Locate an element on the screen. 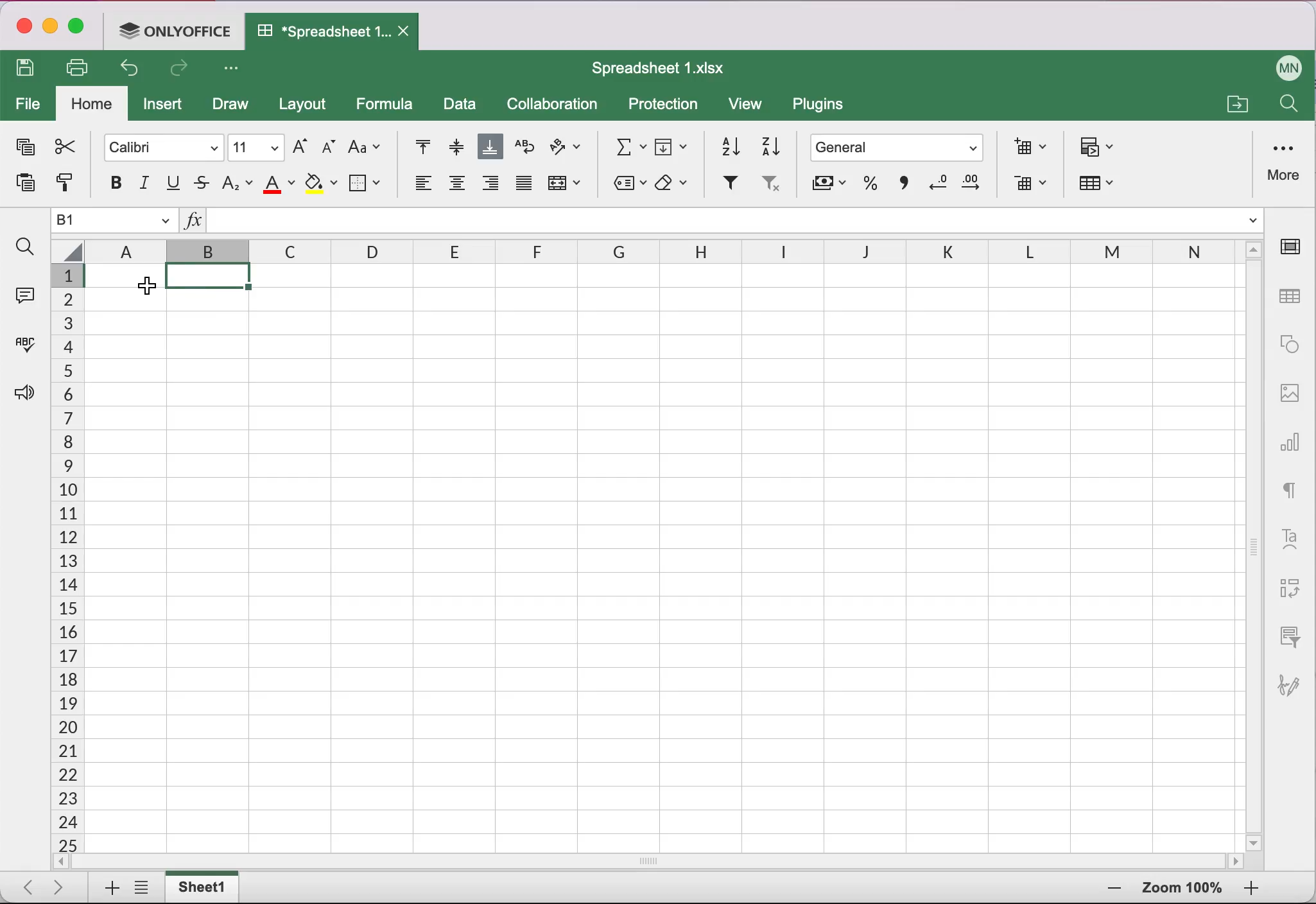 The width and height of the screenshot is (1316, 904). zoom in is located at coordinates (1111, 889).